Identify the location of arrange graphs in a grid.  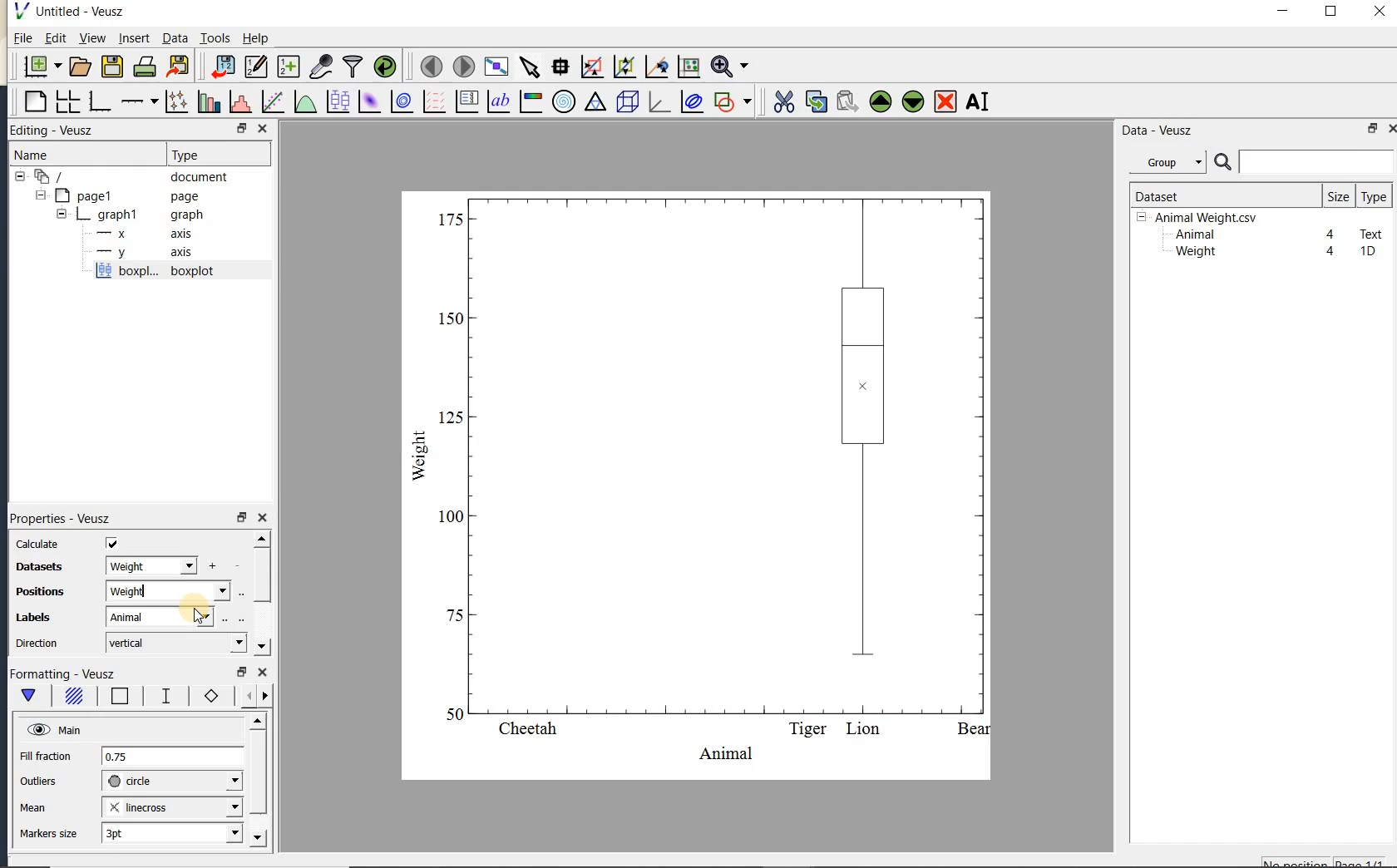
(67, 101).